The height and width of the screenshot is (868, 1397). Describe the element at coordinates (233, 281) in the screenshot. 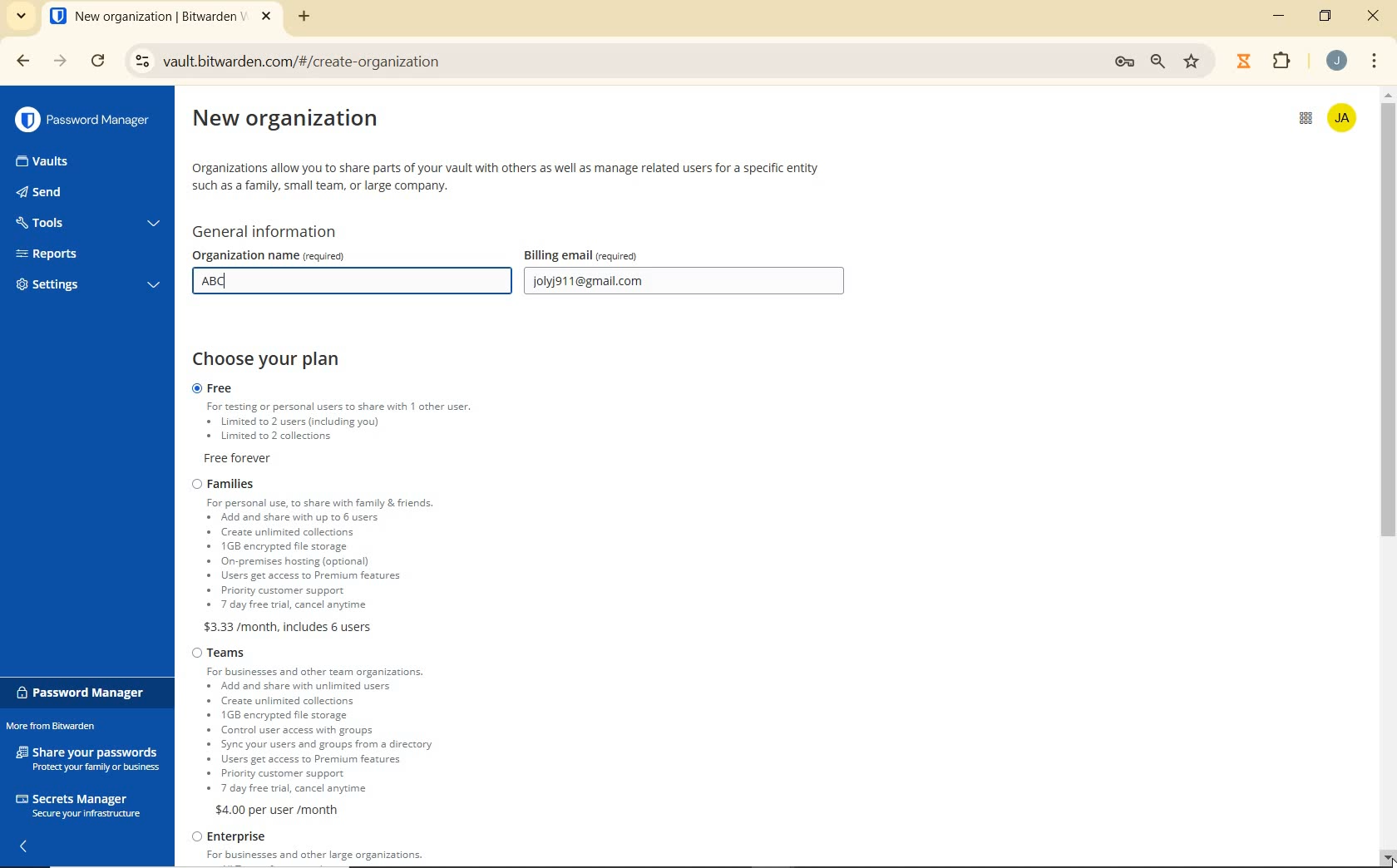

I see `text cursor` at that location.